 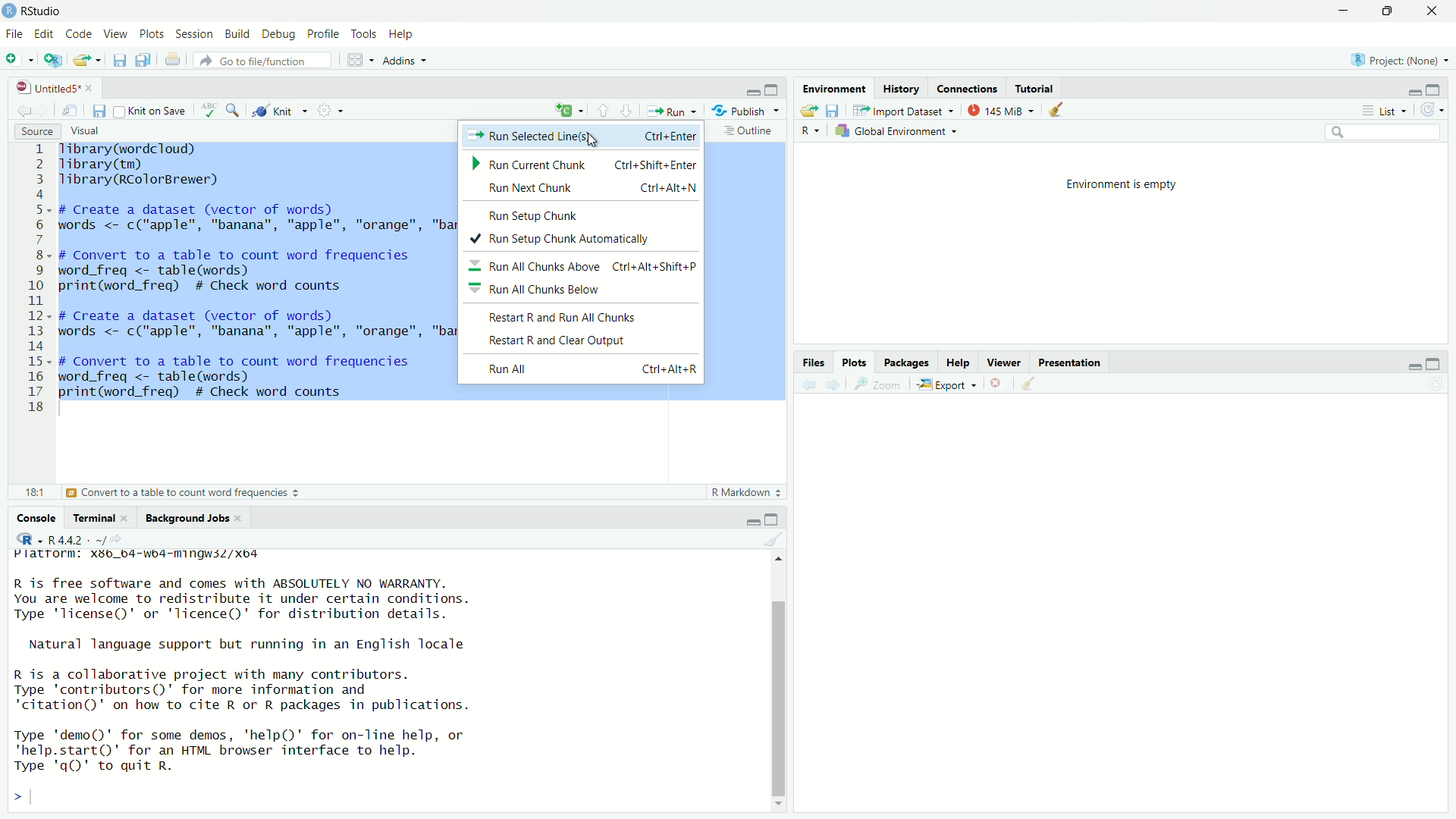 I want to click on Presentation, so click(x=1069, y=361).